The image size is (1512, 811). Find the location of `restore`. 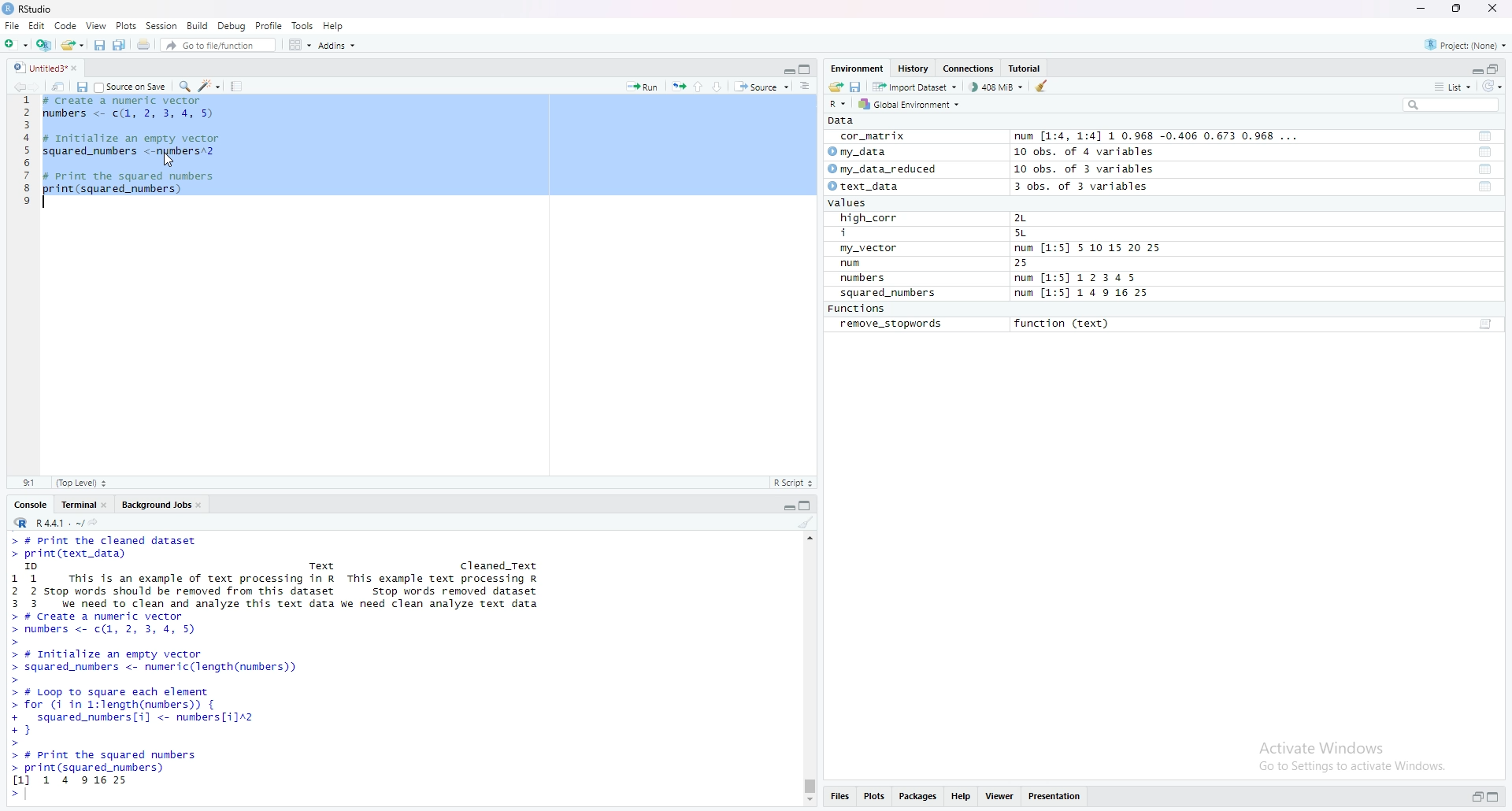

restore is located at coordinates (1477, 798).